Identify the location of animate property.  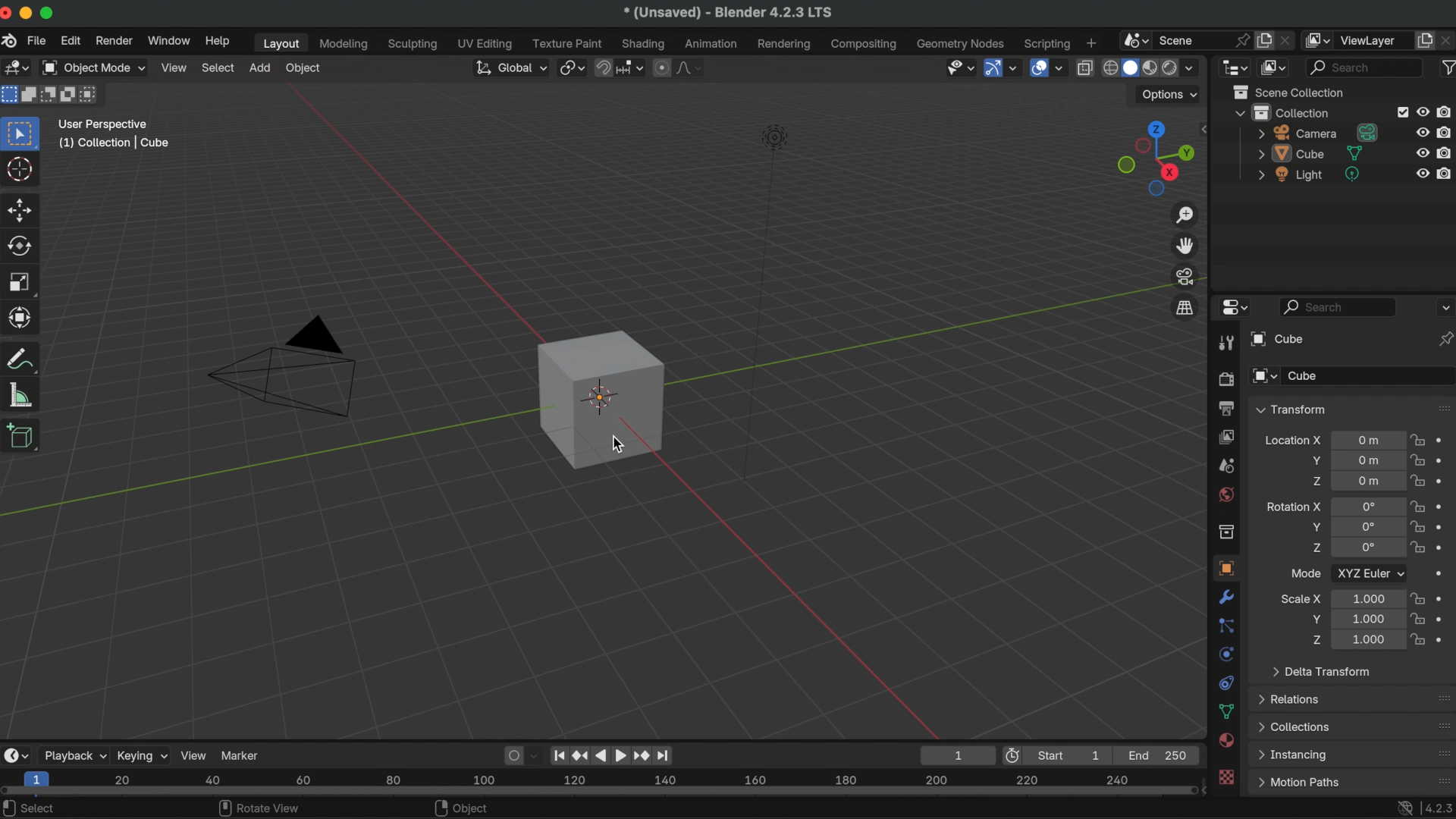
(1444, 460).